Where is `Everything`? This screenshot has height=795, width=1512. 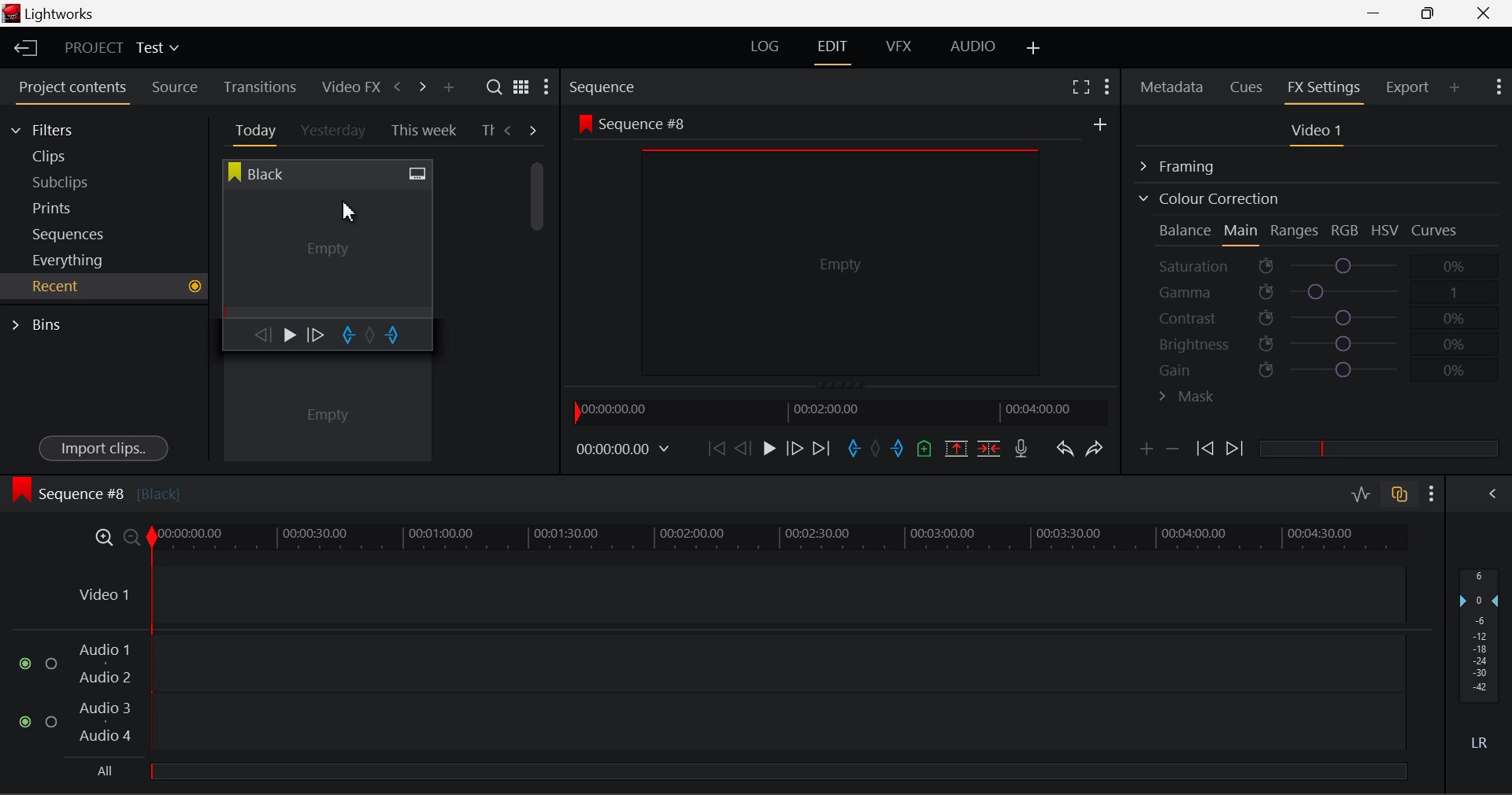 Everything is located at coordinates (70, 260).